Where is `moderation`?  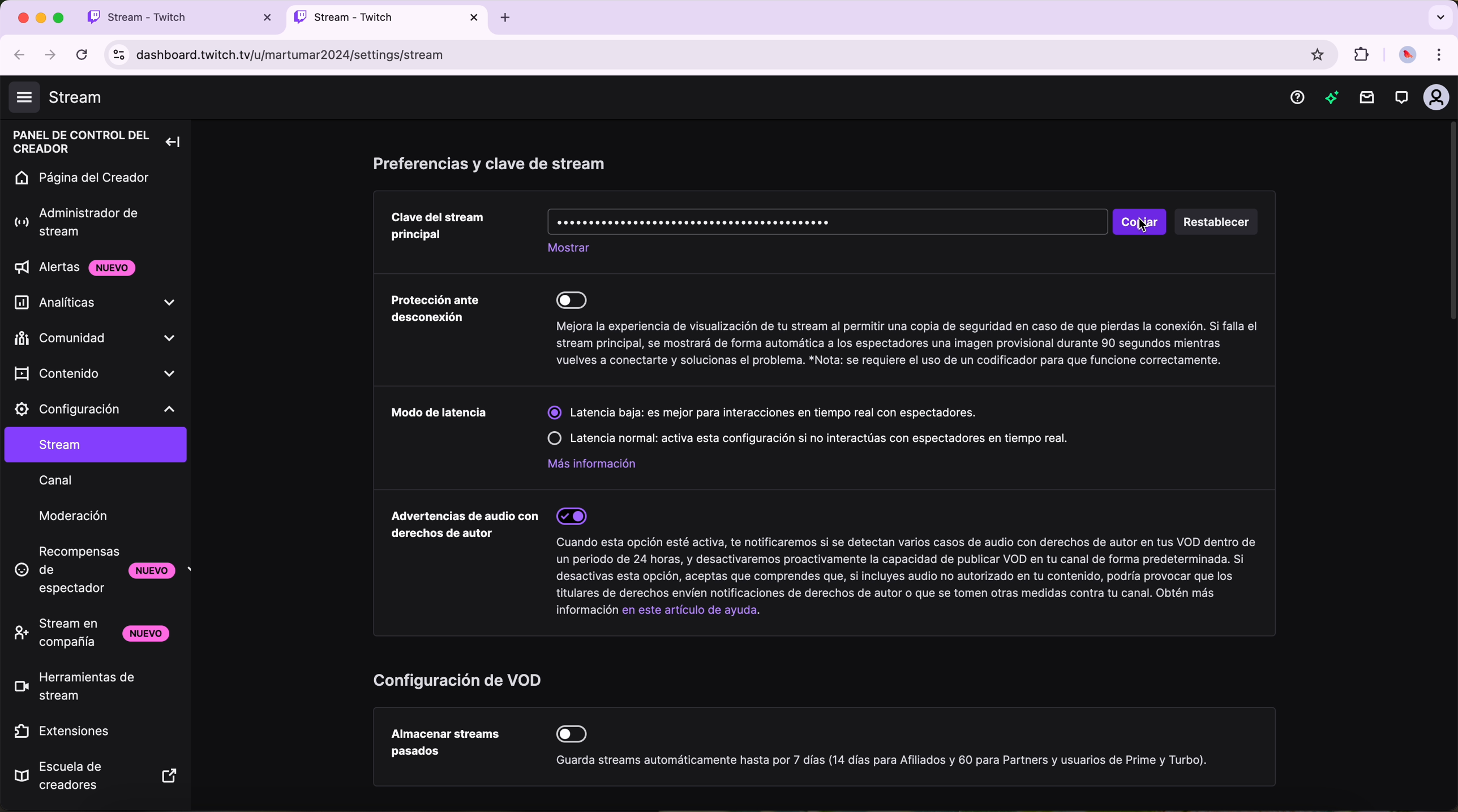
moderation is located at coordinates (74, 514).